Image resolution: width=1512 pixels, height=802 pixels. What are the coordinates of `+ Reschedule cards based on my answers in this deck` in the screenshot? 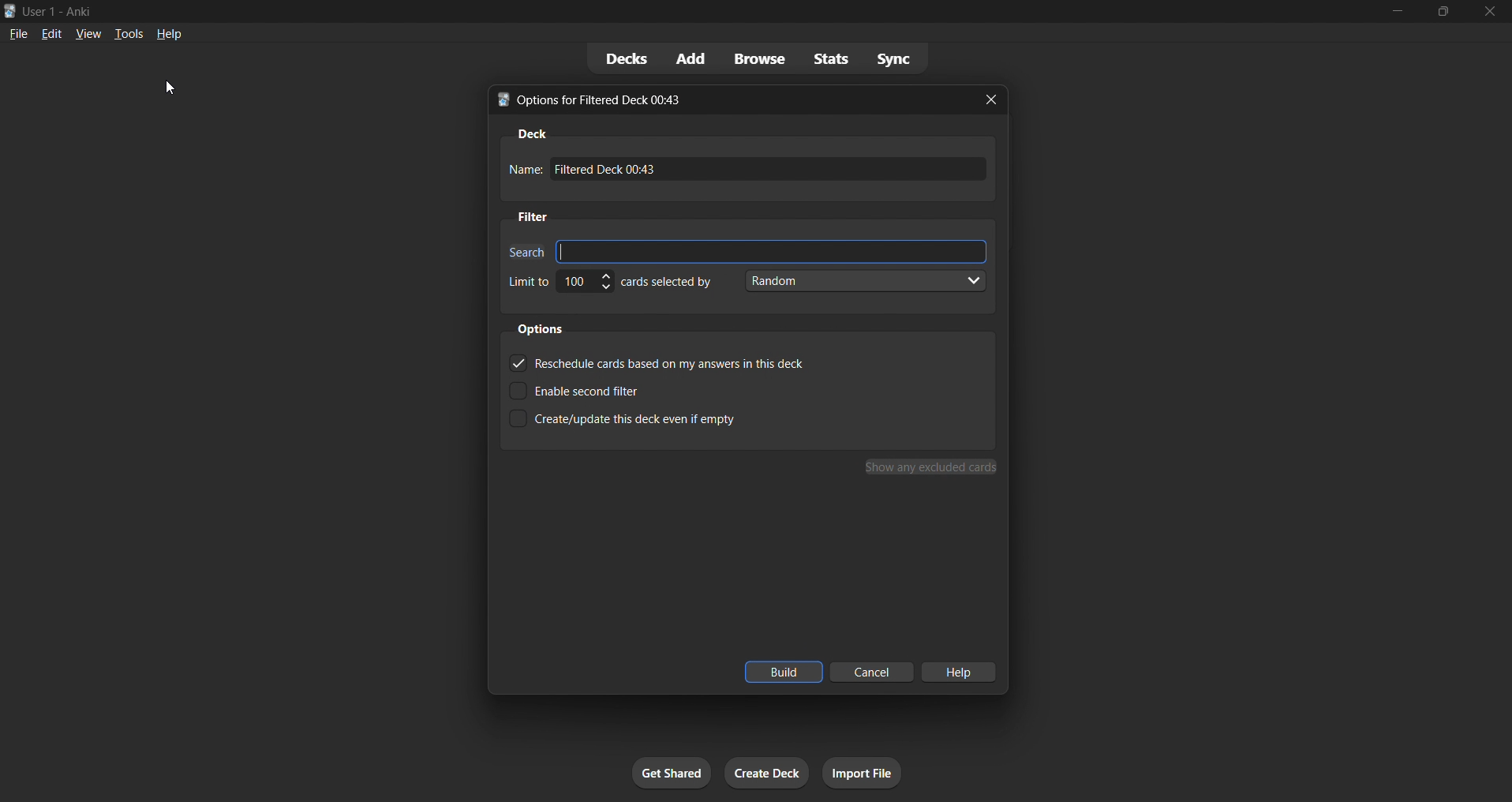 It's located at (656, 361).